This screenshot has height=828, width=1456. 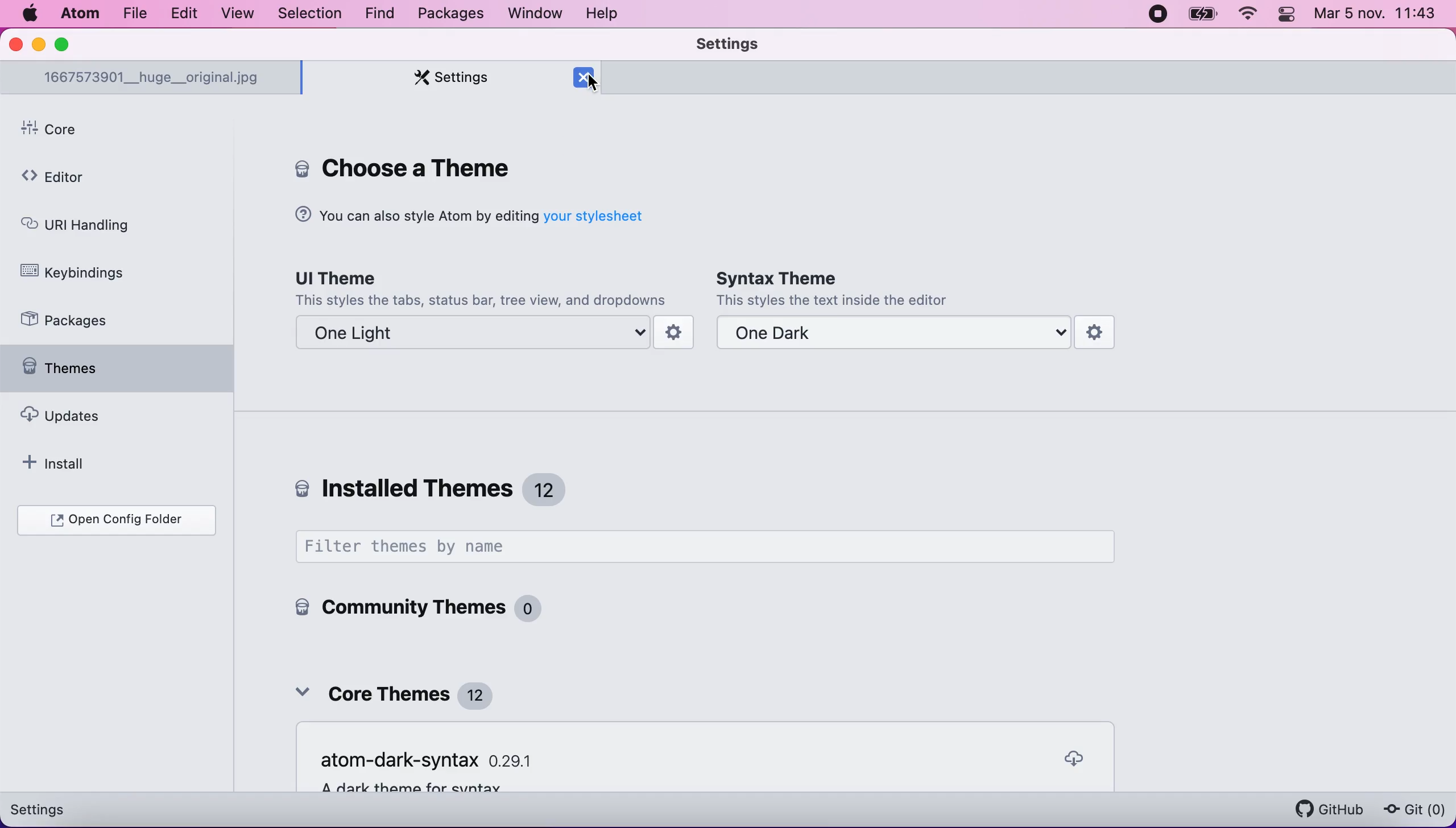 I want to click on updates, so click(x=97, y=421).